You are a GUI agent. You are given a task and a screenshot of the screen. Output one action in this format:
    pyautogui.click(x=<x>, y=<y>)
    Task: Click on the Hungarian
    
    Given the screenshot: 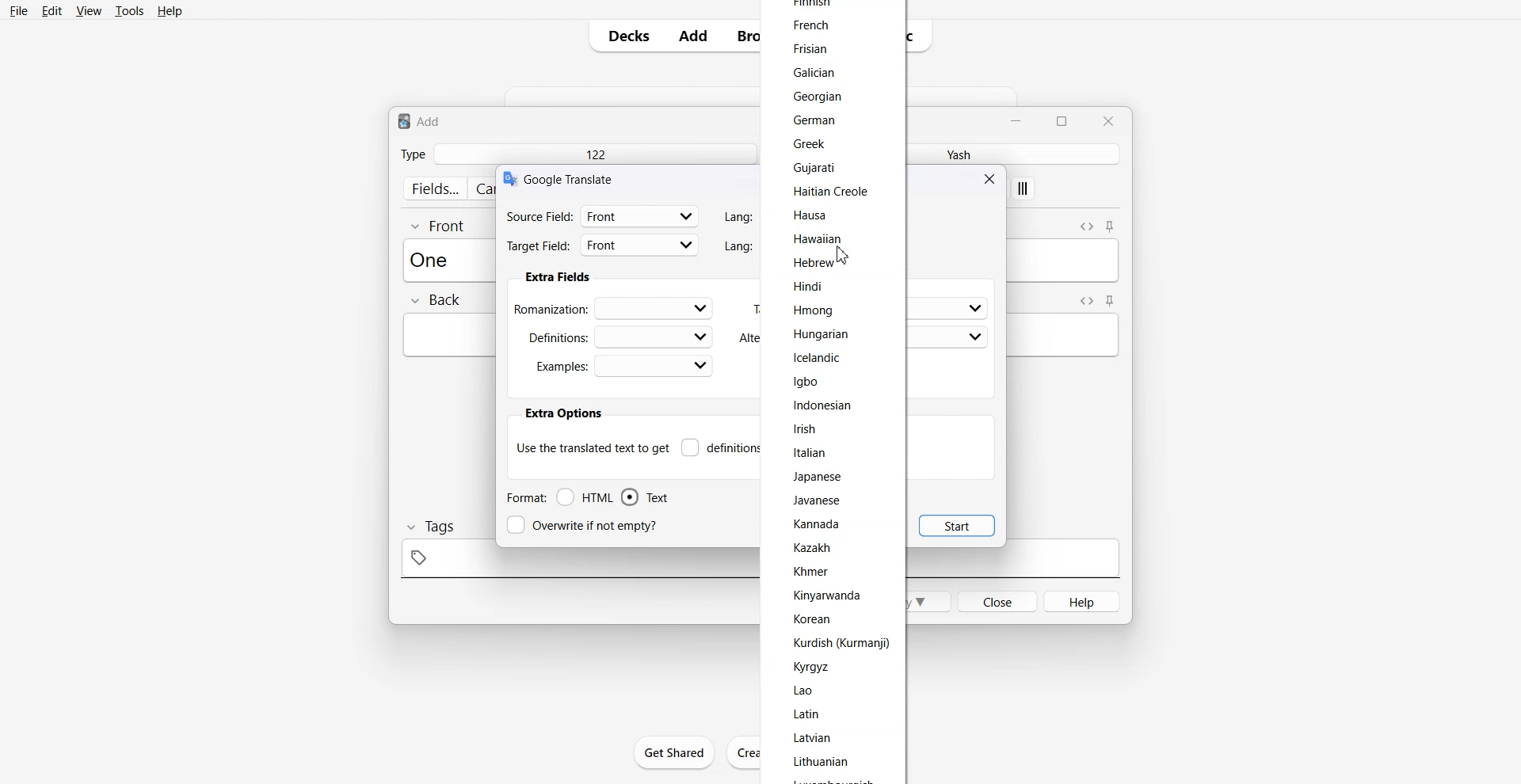 What is the action you would take?
    pyautogui.click(x=822, y=333)
    